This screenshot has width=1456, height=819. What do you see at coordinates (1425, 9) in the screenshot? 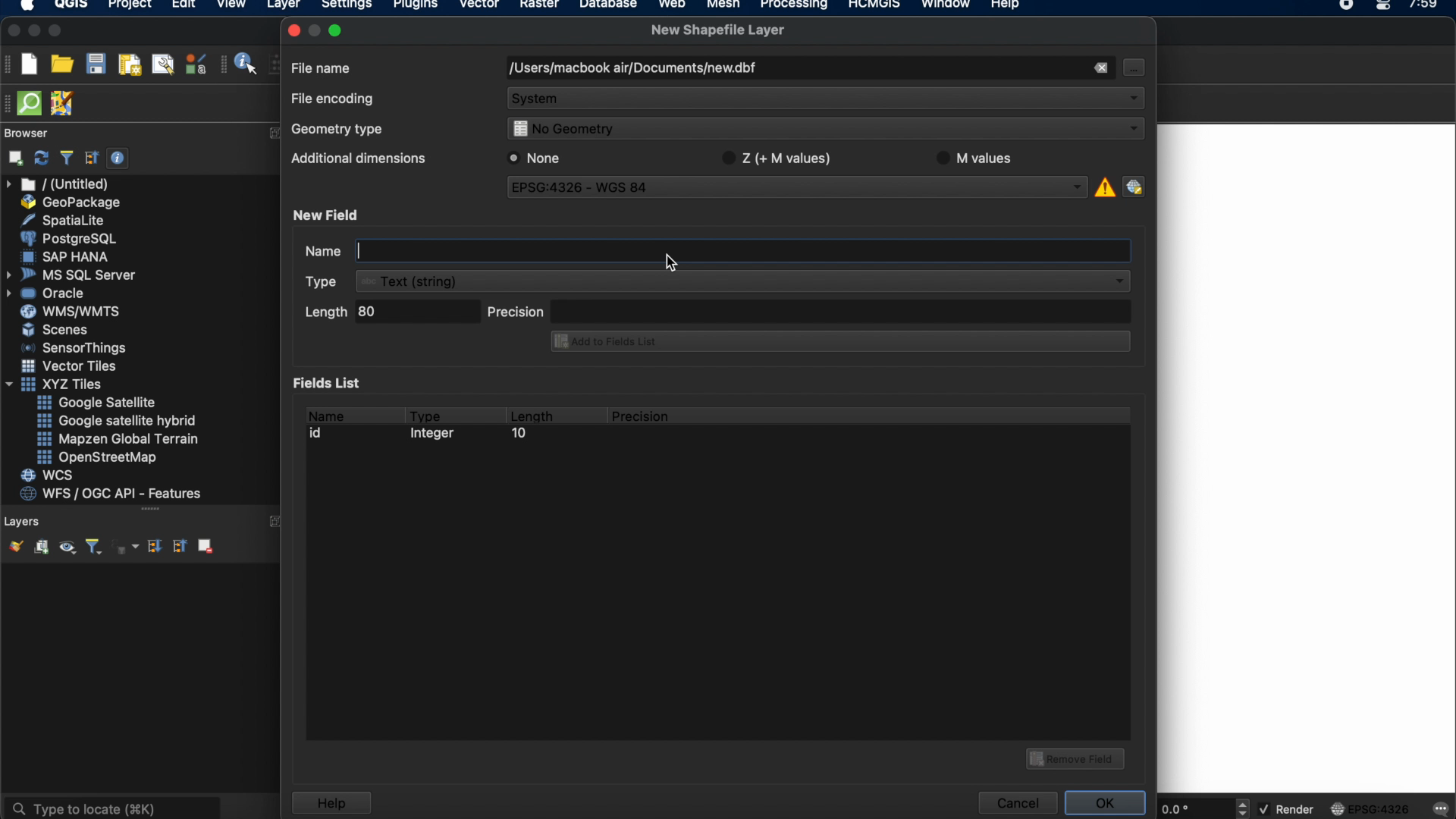
I see `time` at bounding box center [1425, 9].